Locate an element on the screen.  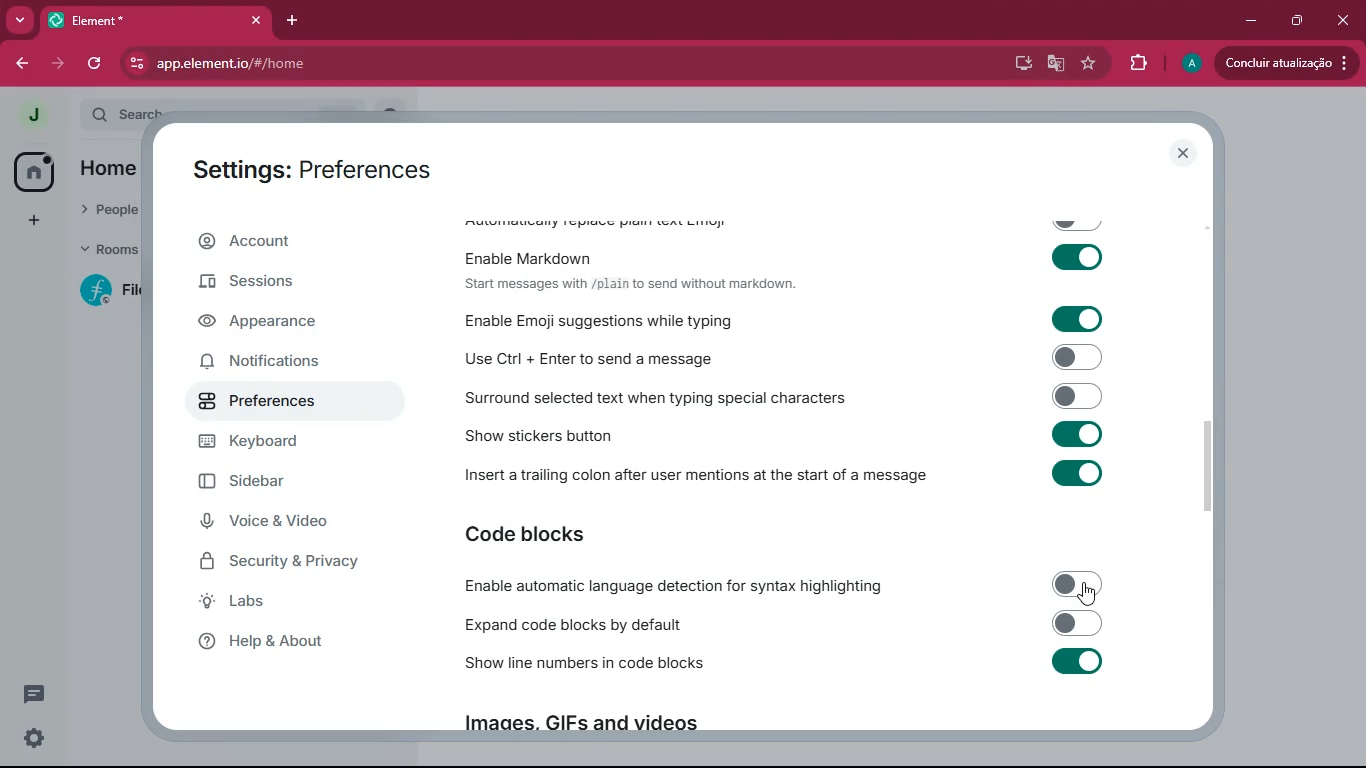
Start messages with /plain to send without markdown. is located at coordinates (630, 284).